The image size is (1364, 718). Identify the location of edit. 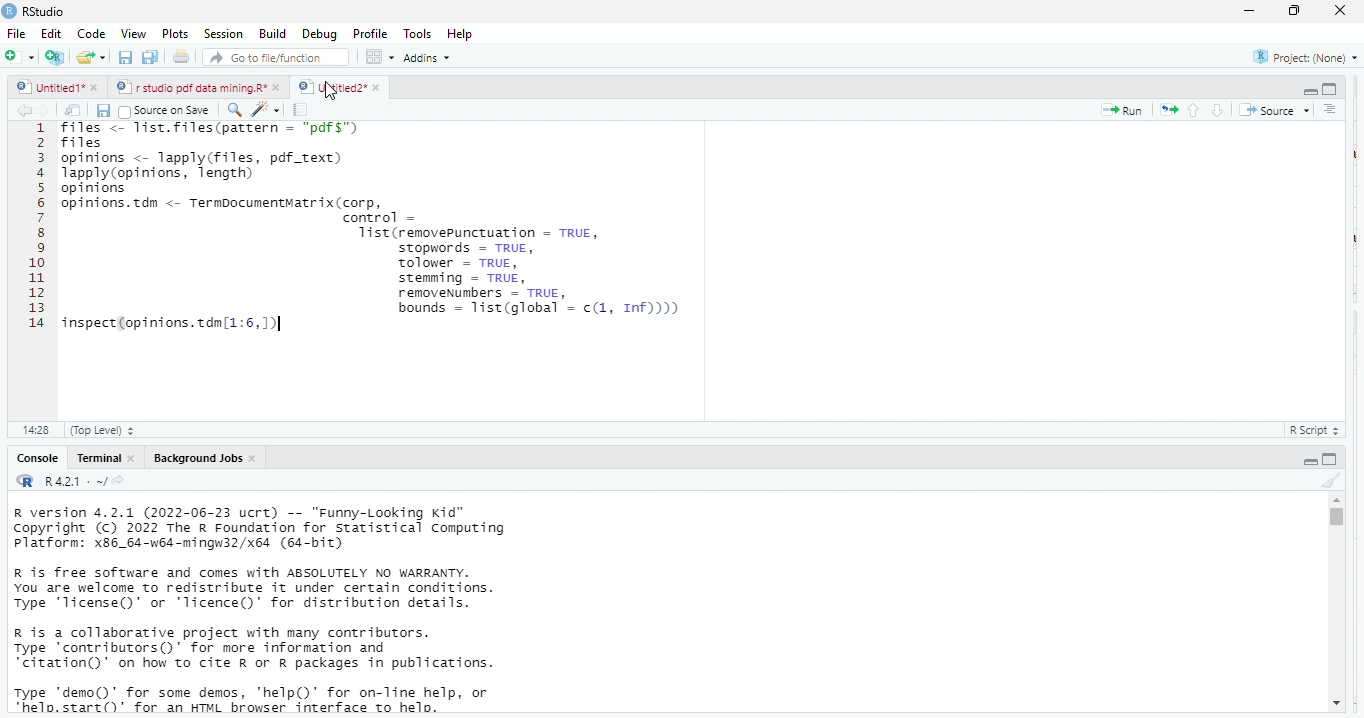
(51, 34).